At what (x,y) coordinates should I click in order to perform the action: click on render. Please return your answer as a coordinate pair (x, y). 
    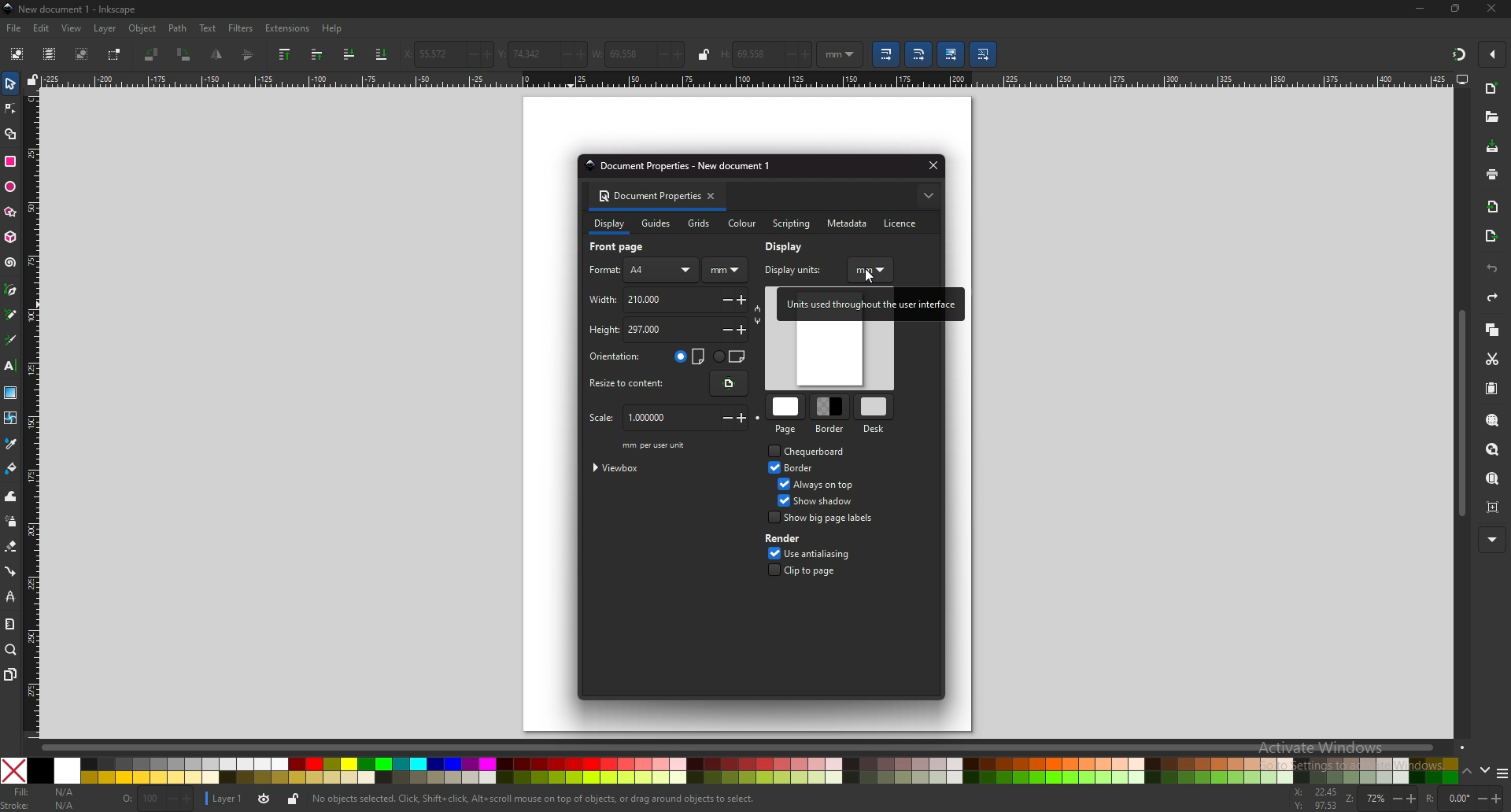
    Looking at the image, I should click on (790, 539).